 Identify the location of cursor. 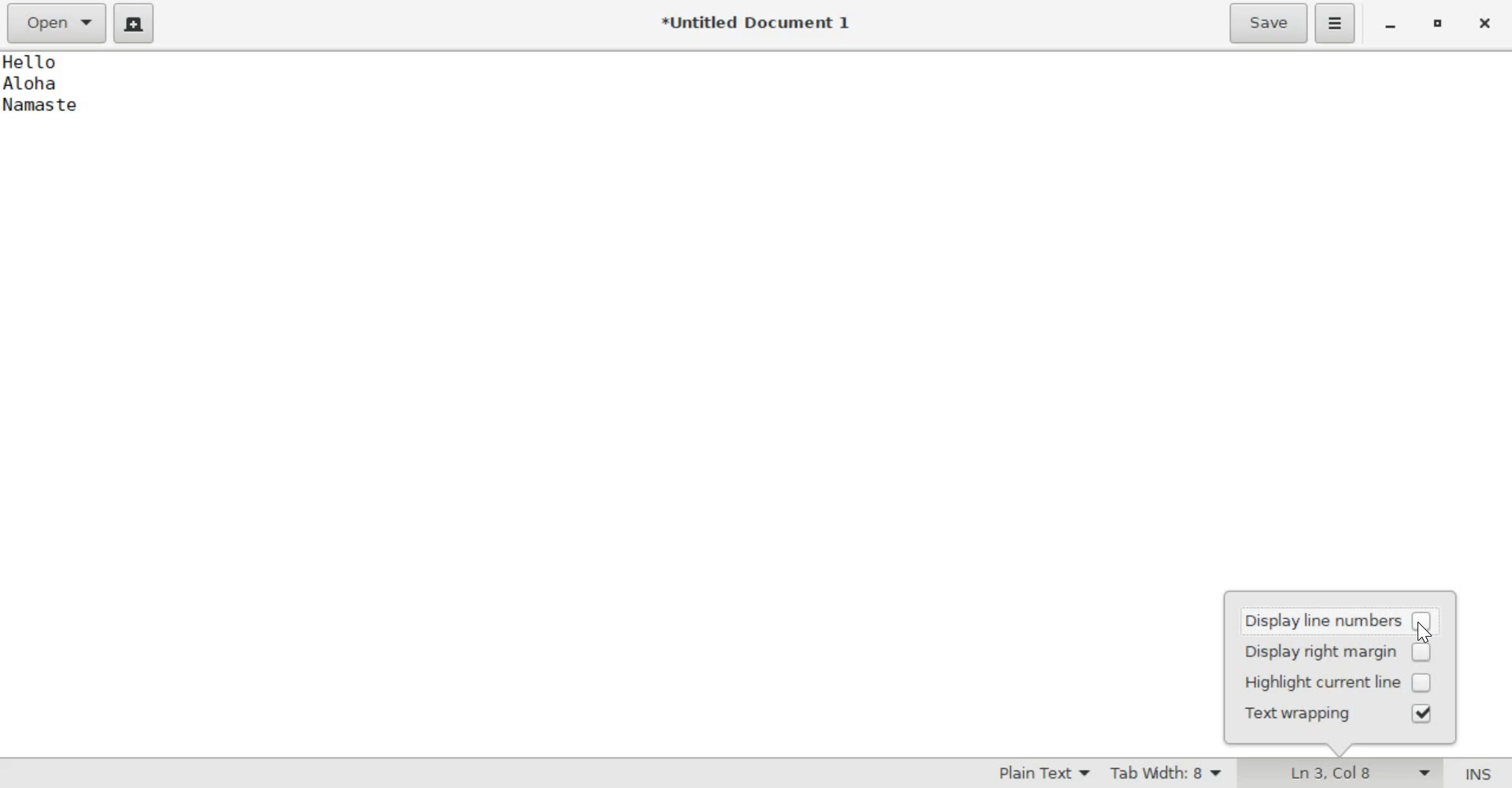
(1422, 634).